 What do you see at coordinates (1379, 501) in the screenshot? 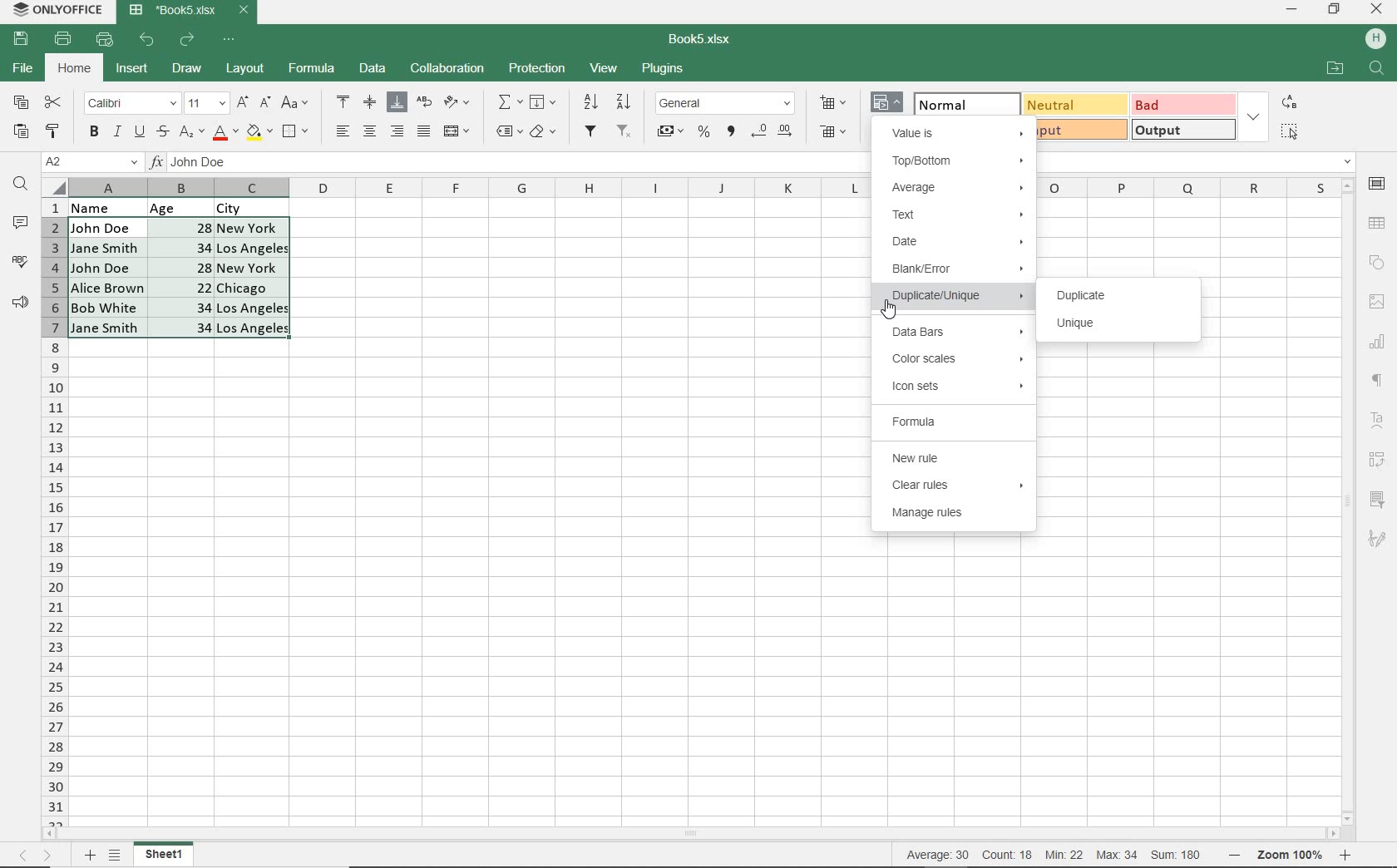
I see `SLICER` at bounding box center [1379, 501].